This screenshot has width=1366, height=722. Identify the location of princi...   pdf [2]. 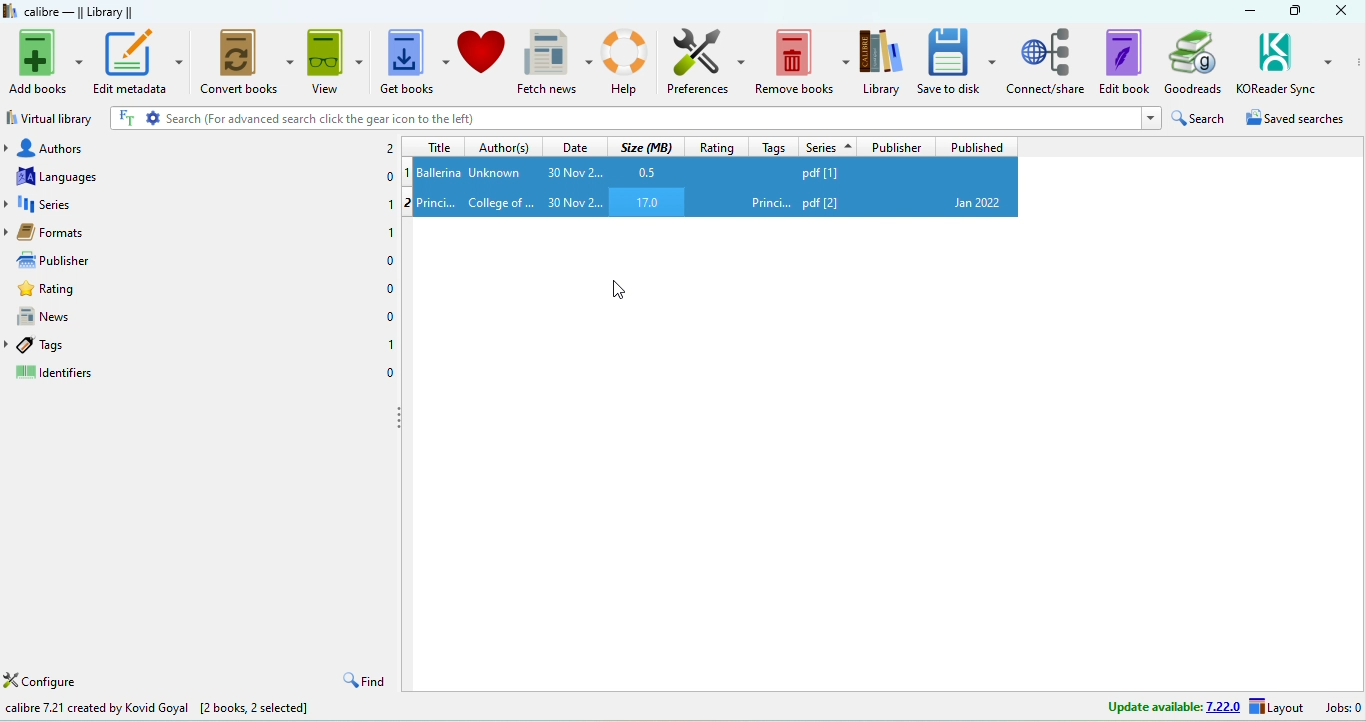
(818, 202).